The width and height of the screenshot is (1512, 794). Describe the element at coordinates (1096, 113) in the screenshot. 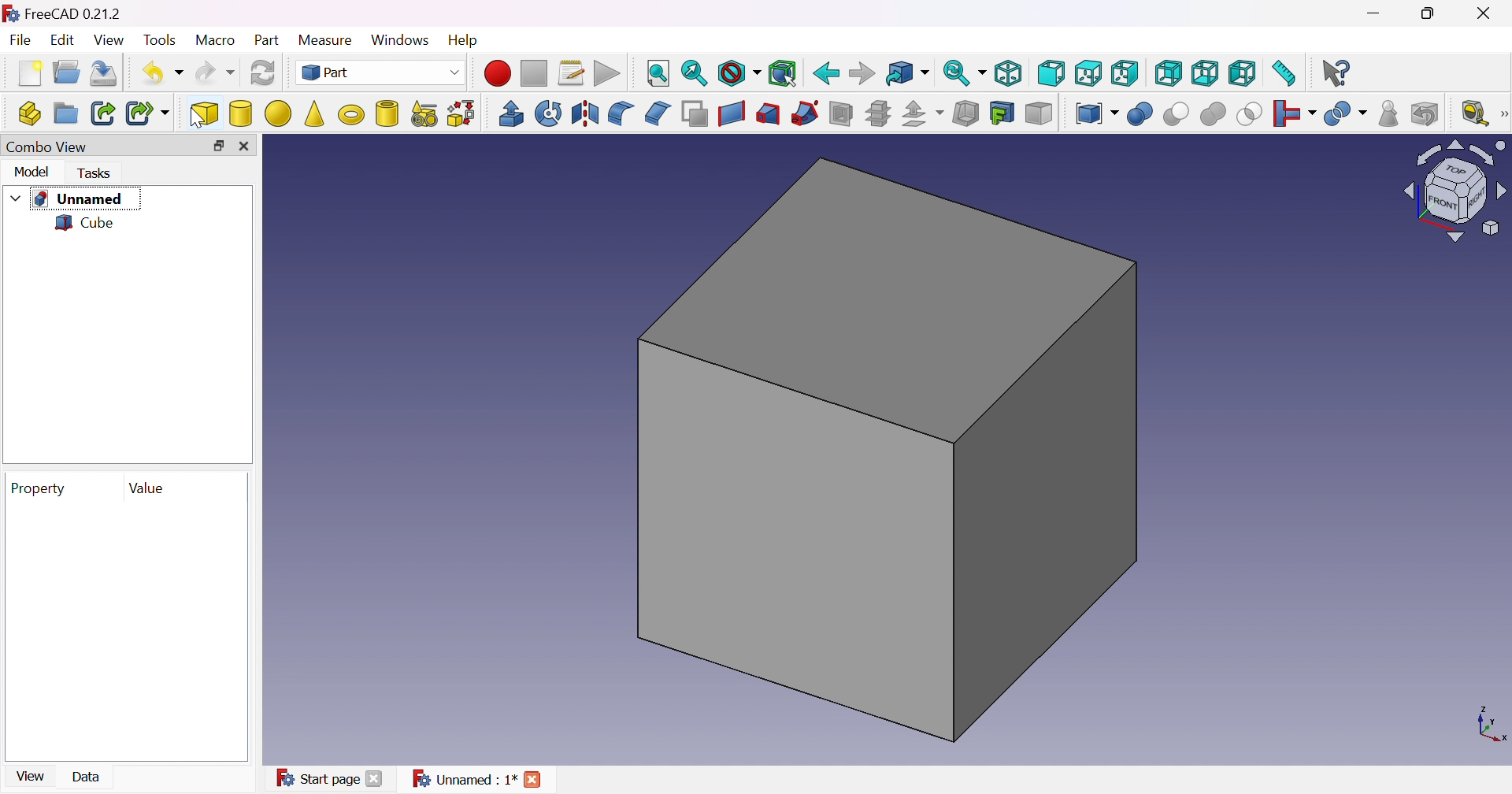

I see `Compound tools` at that location.